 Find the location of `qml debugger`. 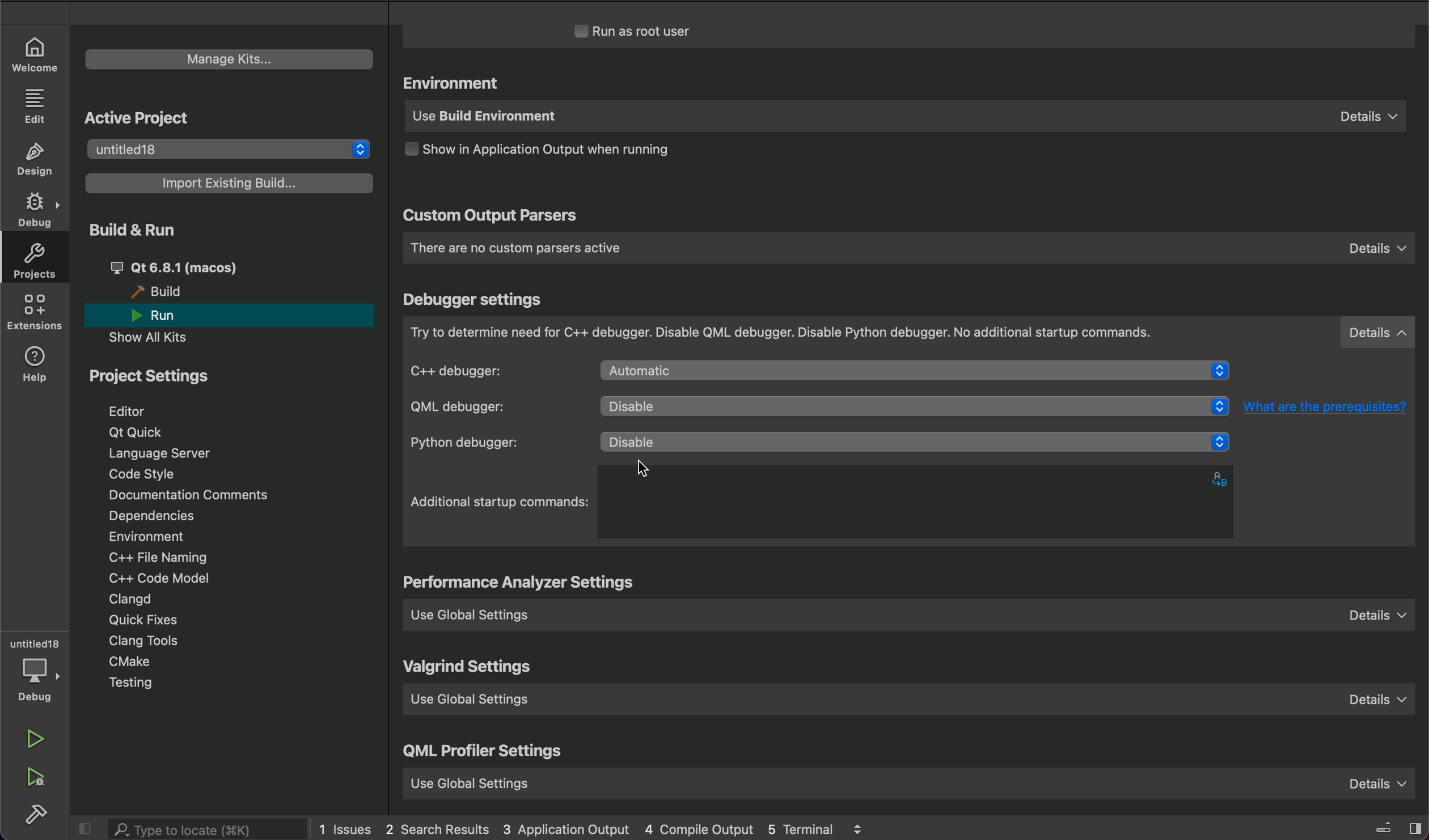

qml debugger is located at coordinates (485, 407).